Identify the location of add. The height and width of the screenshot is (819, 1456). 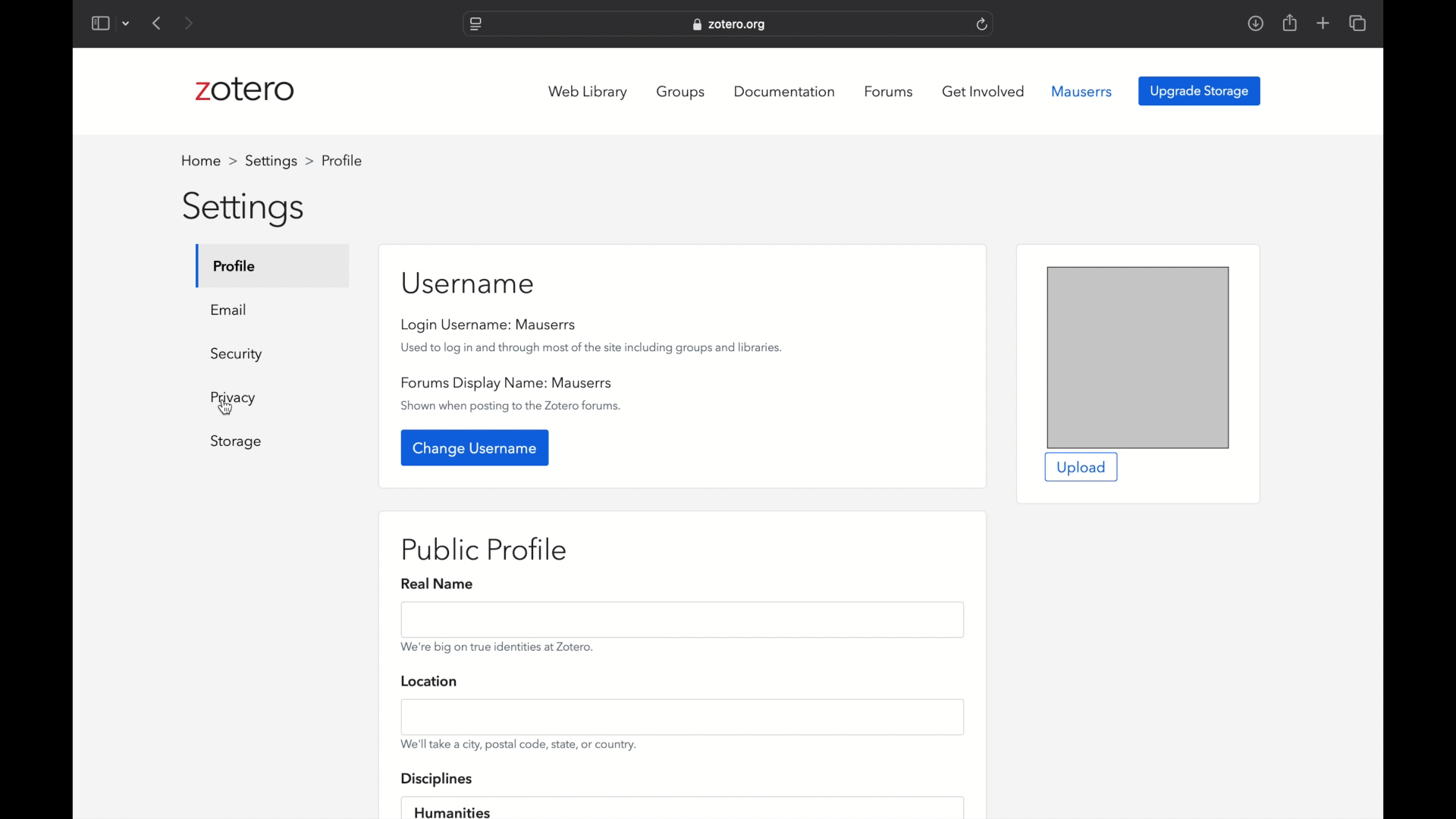
(1324, 23).